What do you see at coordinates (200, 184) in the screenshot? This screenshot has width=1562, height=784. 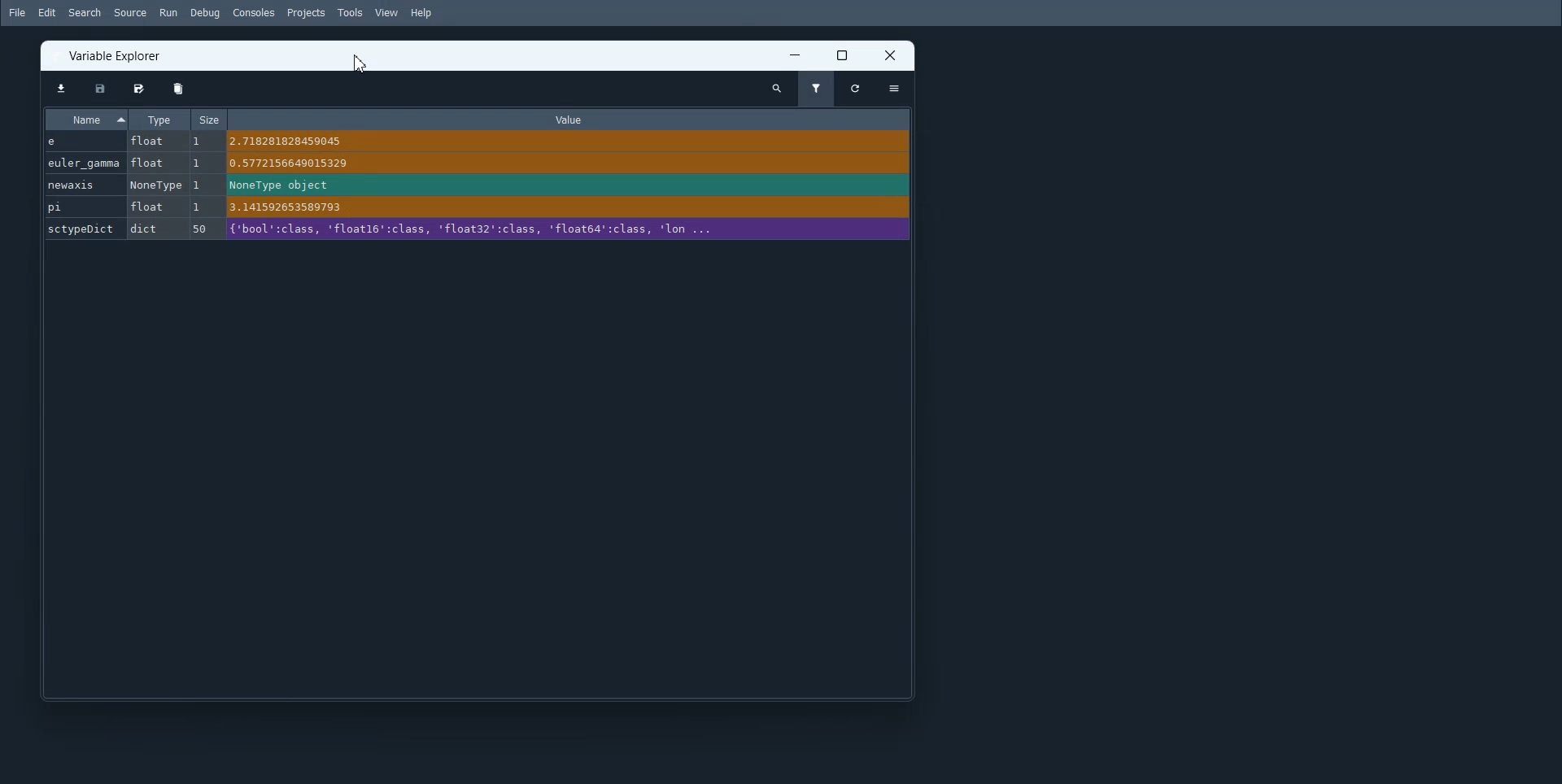 I see `1` at bounding box center [200, 184].